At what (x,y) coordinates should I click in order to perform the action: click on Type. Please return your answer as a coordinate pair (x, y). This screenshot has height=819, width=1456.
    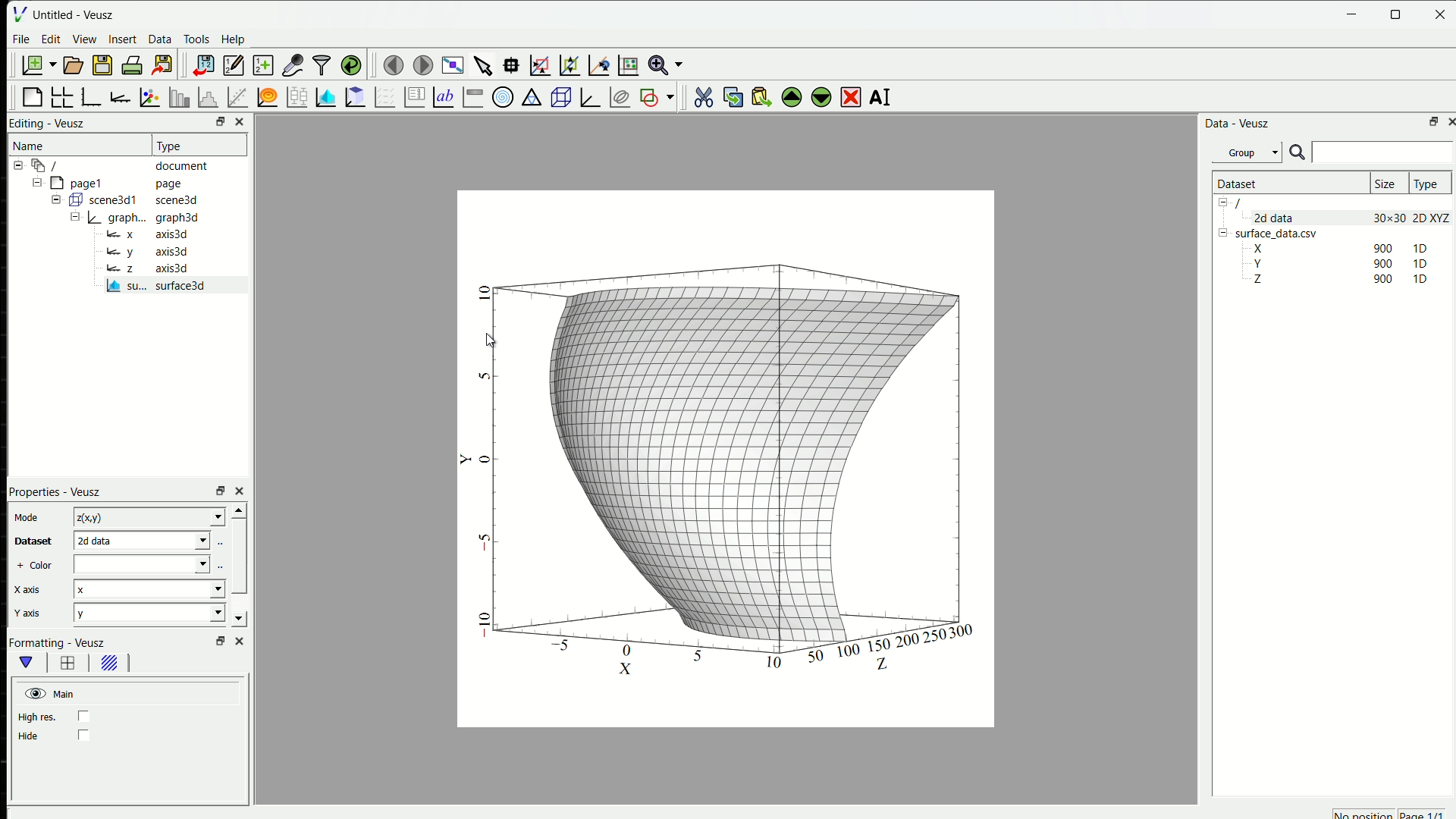
    Looking at the image, I should click on (168, 146).